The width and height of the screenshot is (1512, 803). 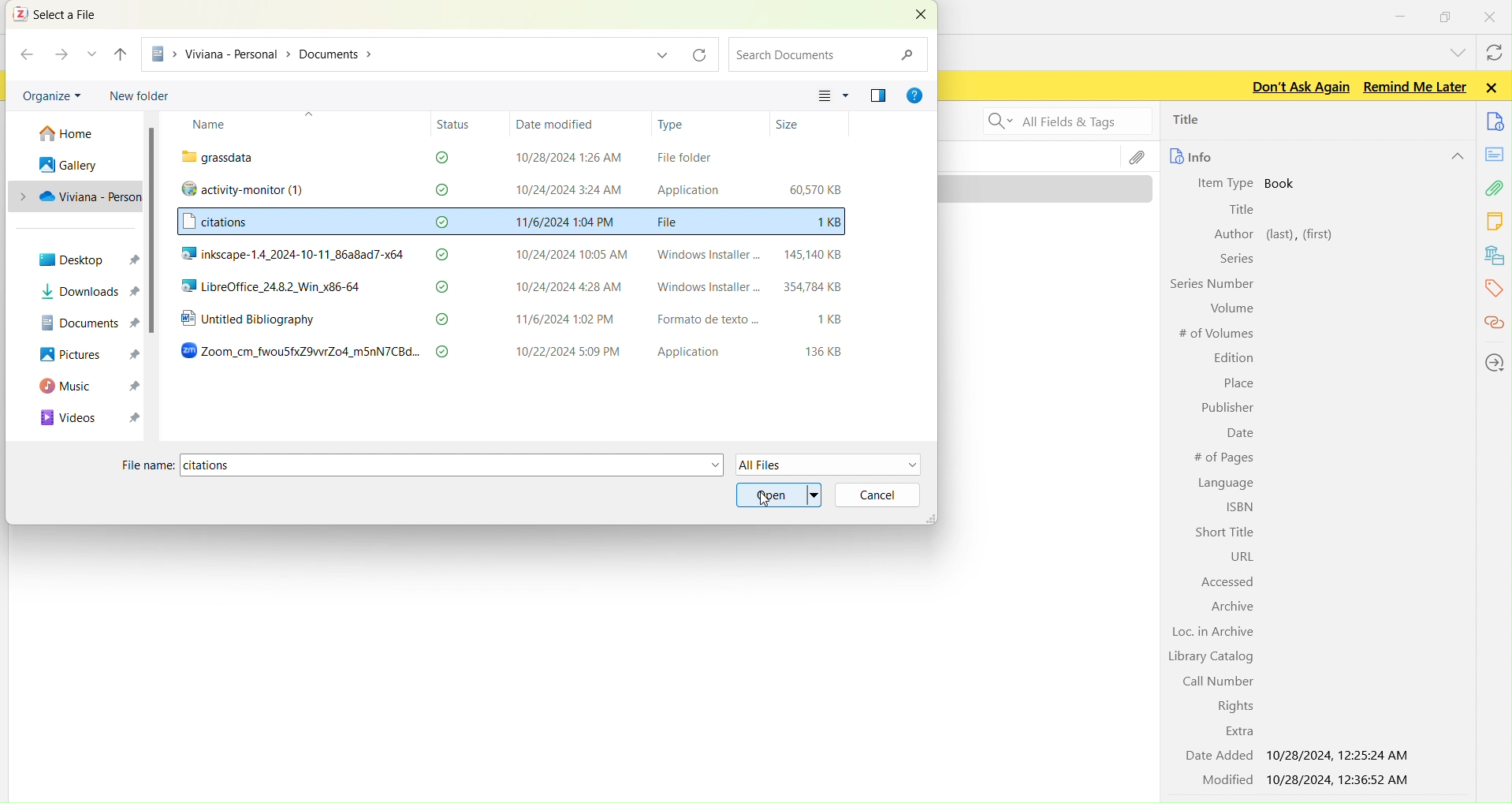 I want to click on RECENT LOCATION, so click(x=92, y=56).